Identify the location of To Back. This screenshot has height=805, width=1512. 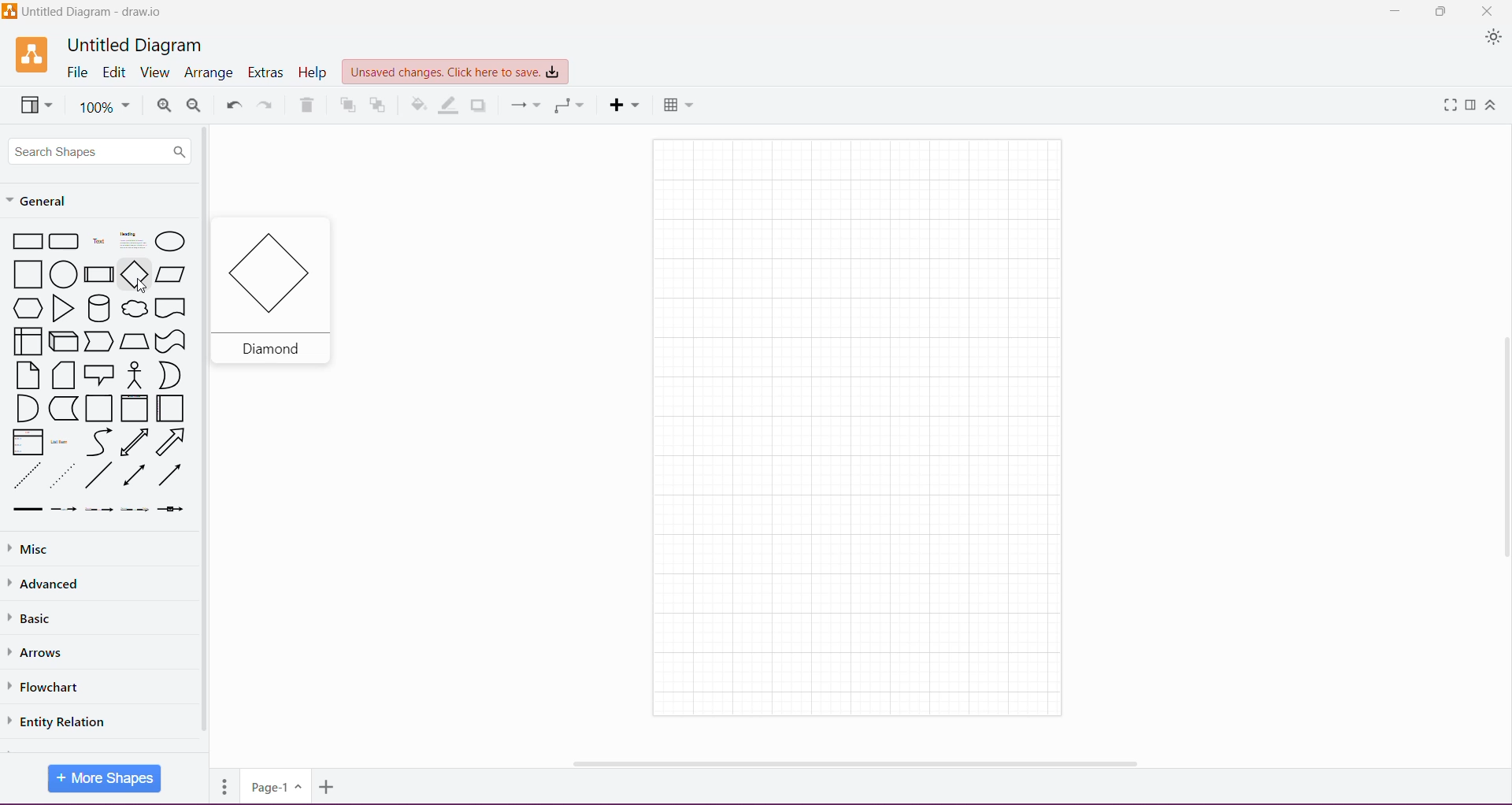
(380, 105).